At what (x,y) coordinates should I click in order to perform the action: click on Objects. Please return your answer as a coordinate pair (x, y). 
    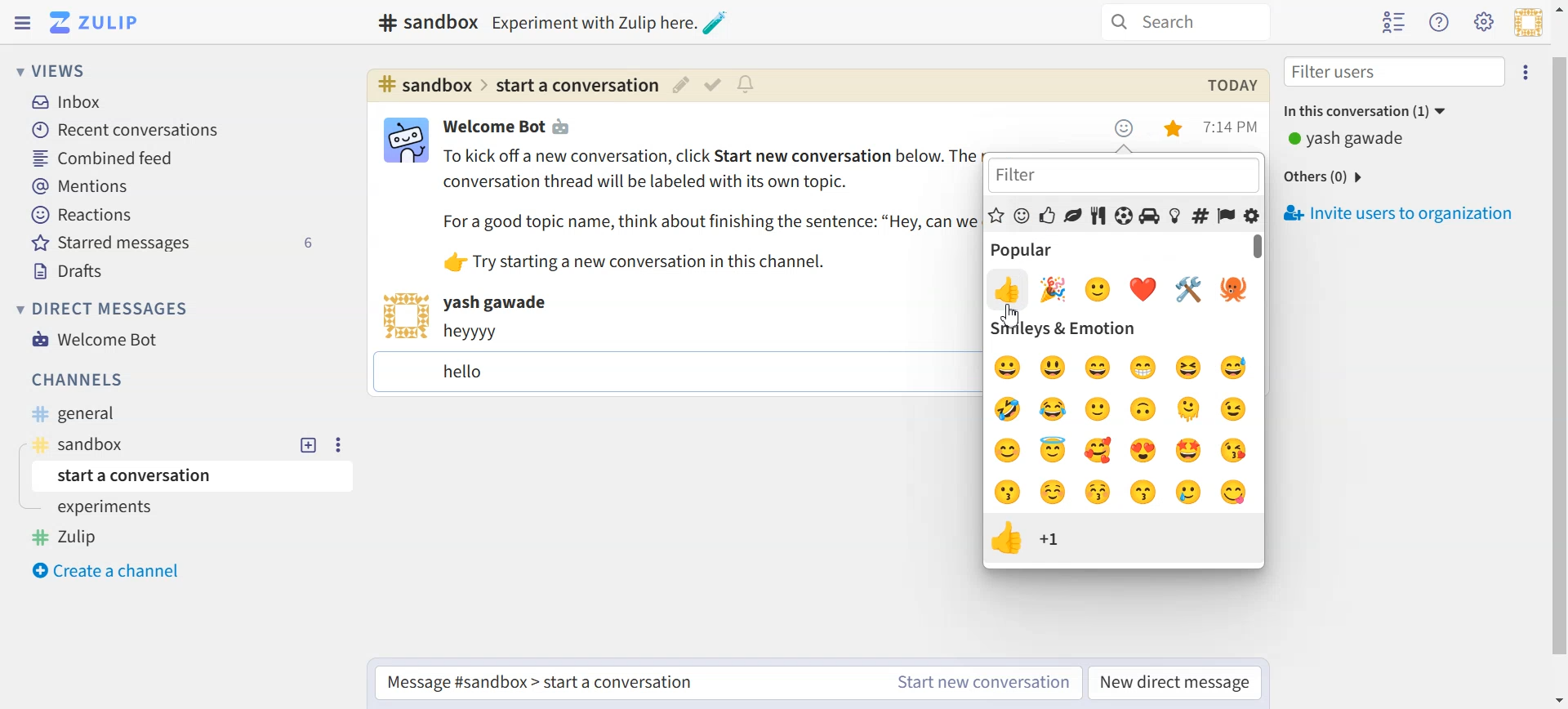
    Looking at the image, I should click on (1174, 216).